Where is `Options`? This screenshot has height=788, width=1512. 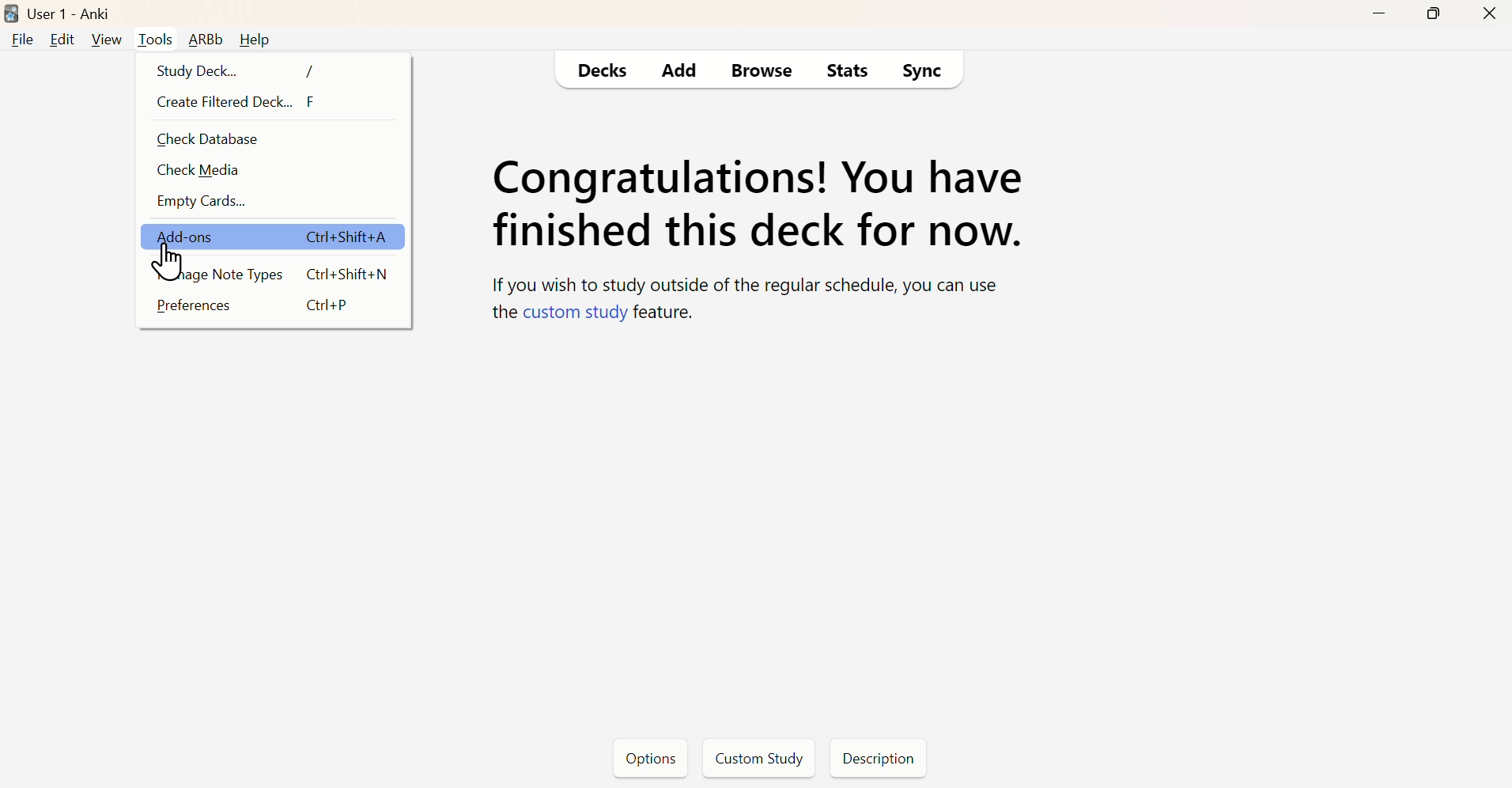 Options is located at coordinates (652, 758).